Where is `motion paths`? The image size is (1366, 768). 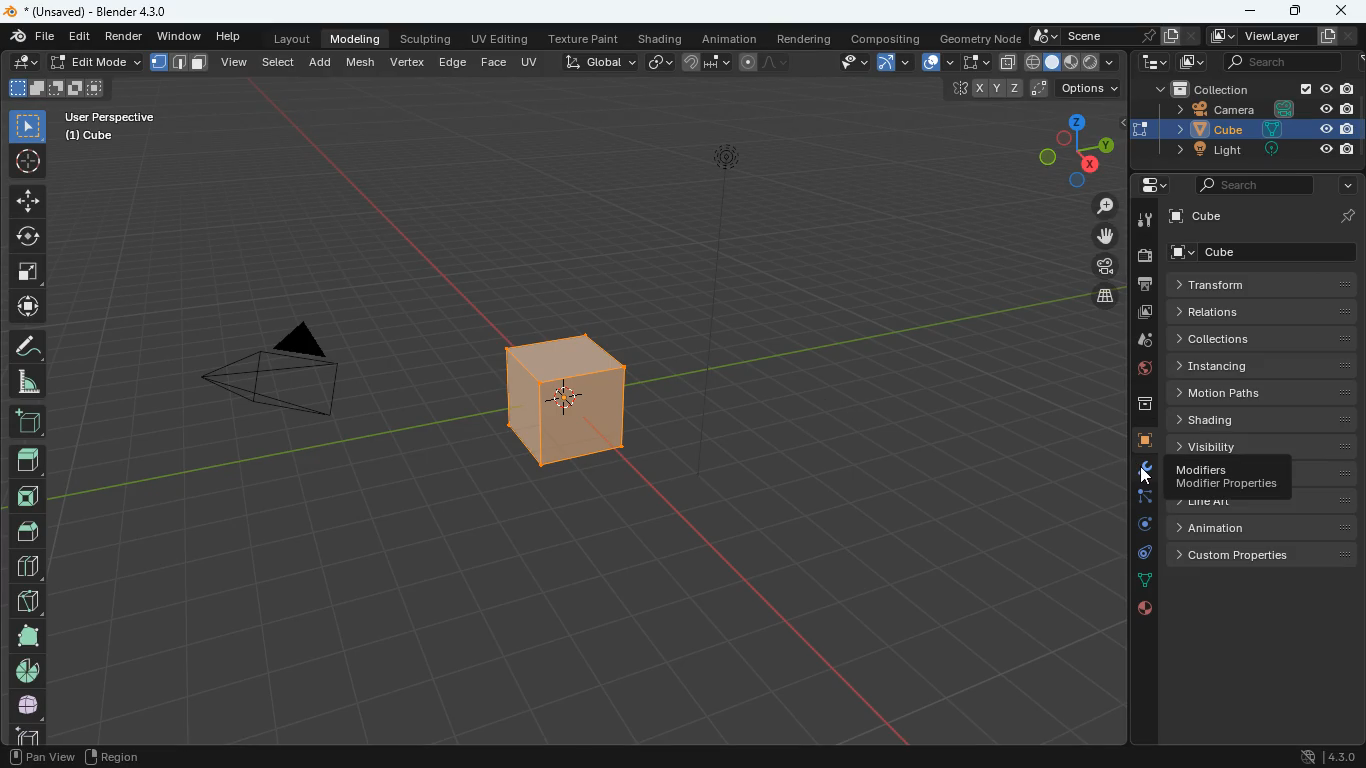
motion paths is located at coordinates (1267, 393).